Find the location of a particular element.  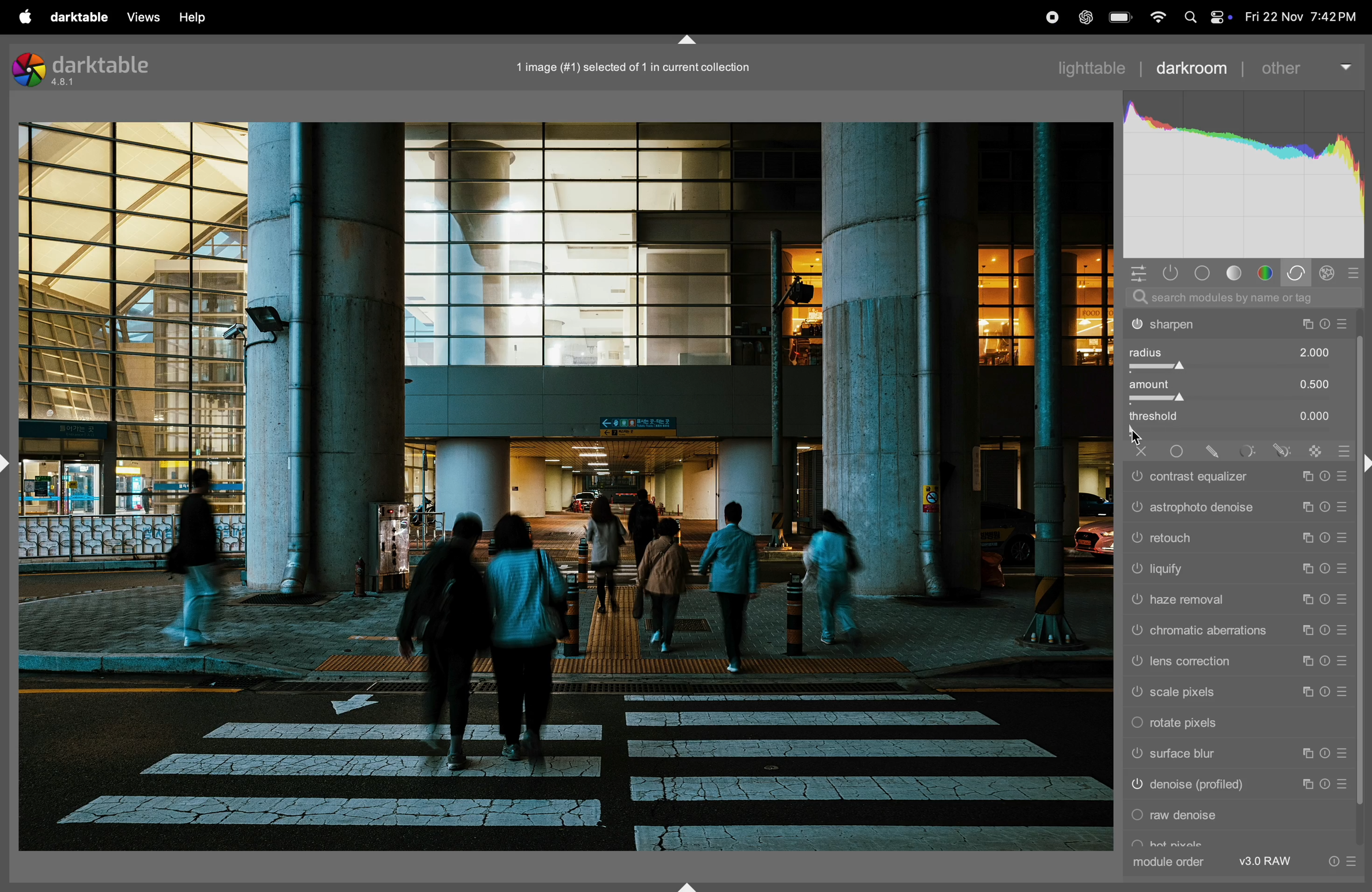

apple menu is located at coordinates (24, 17).